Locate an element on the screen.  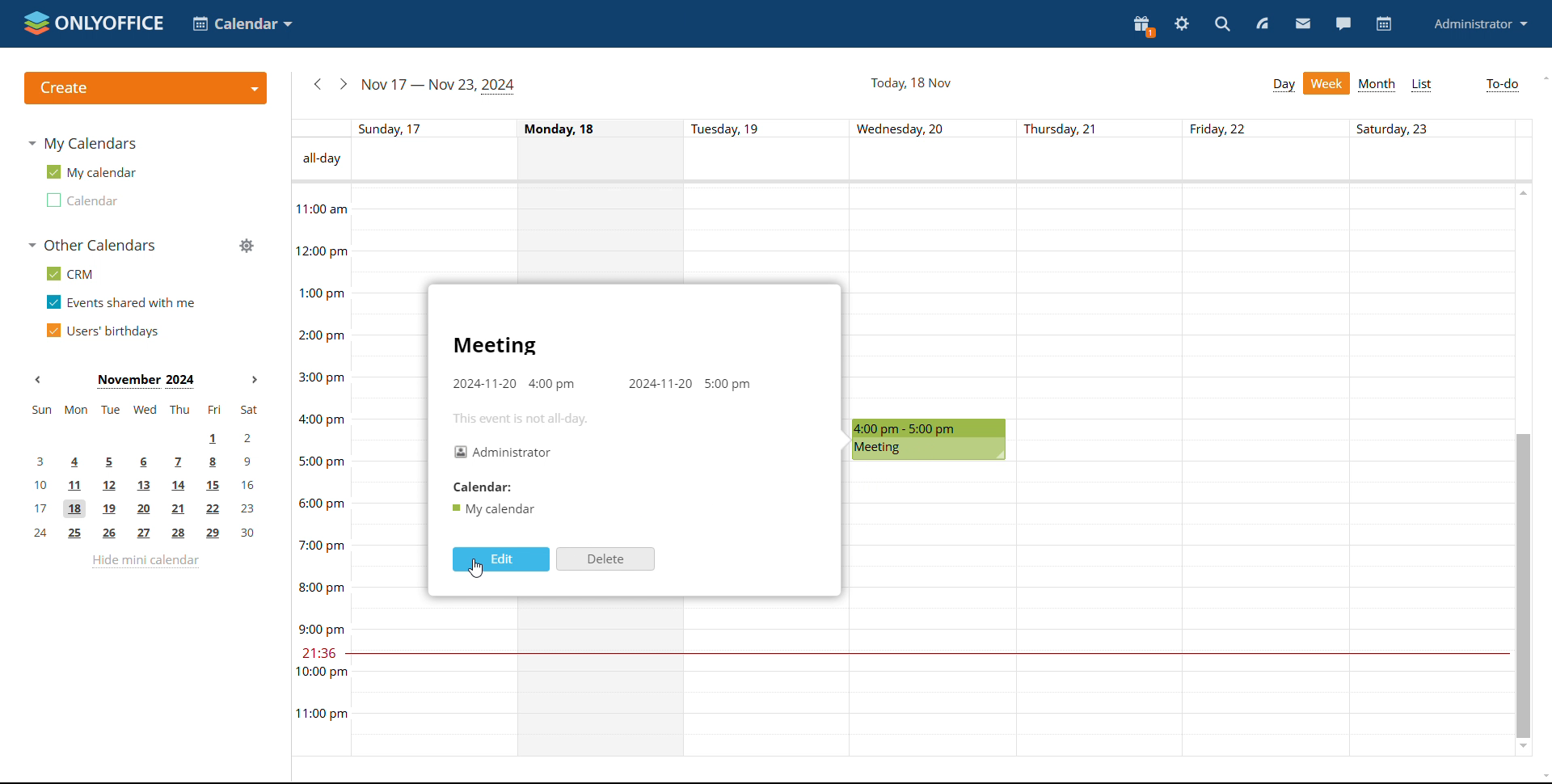
day view is located at coordinates (1283, 86).